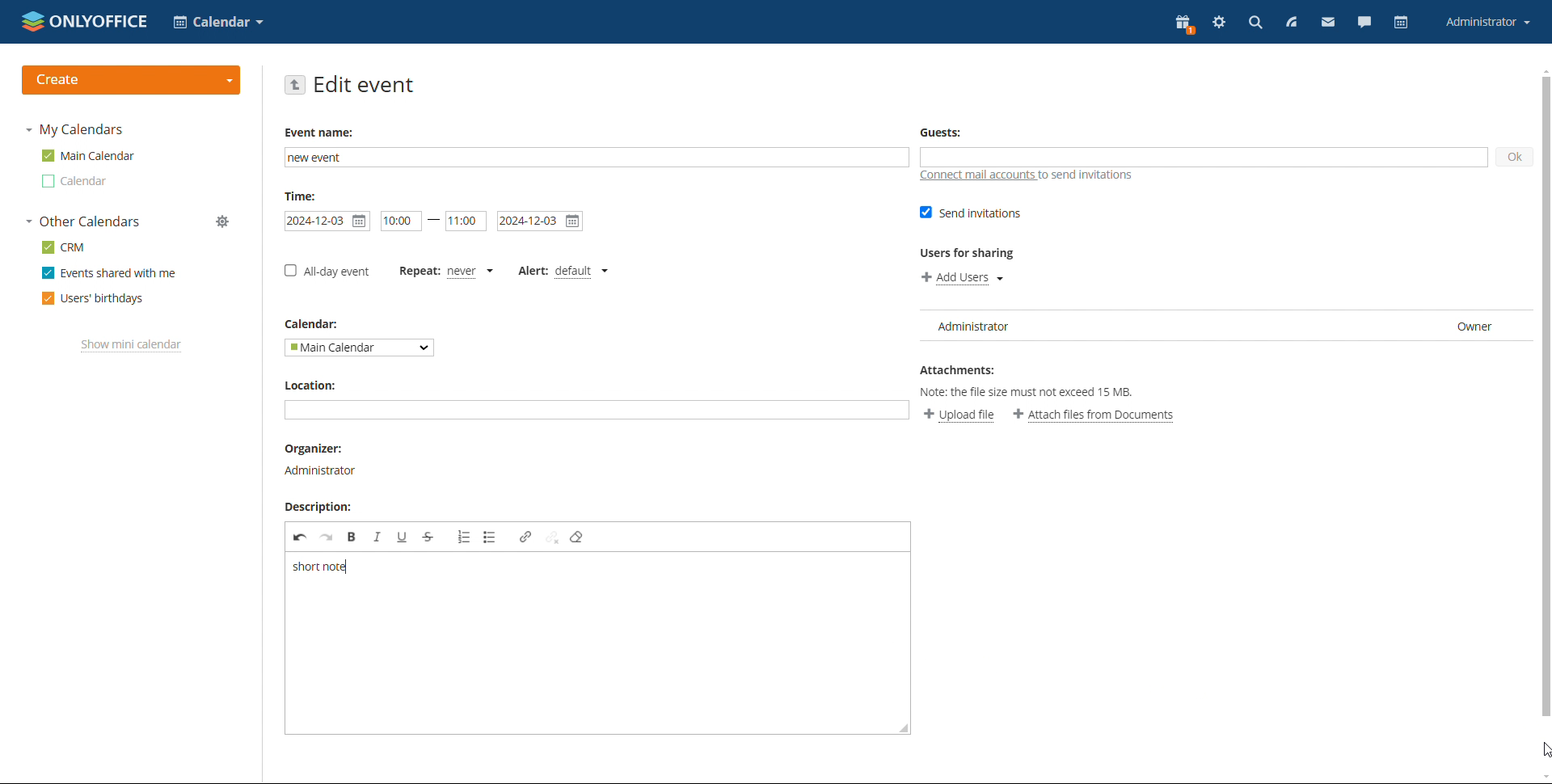 The width and height of the screenshot is (1552, 784). Describe the element at coordinates (553, 537) in the screenshot. I see `unlink` at that location.